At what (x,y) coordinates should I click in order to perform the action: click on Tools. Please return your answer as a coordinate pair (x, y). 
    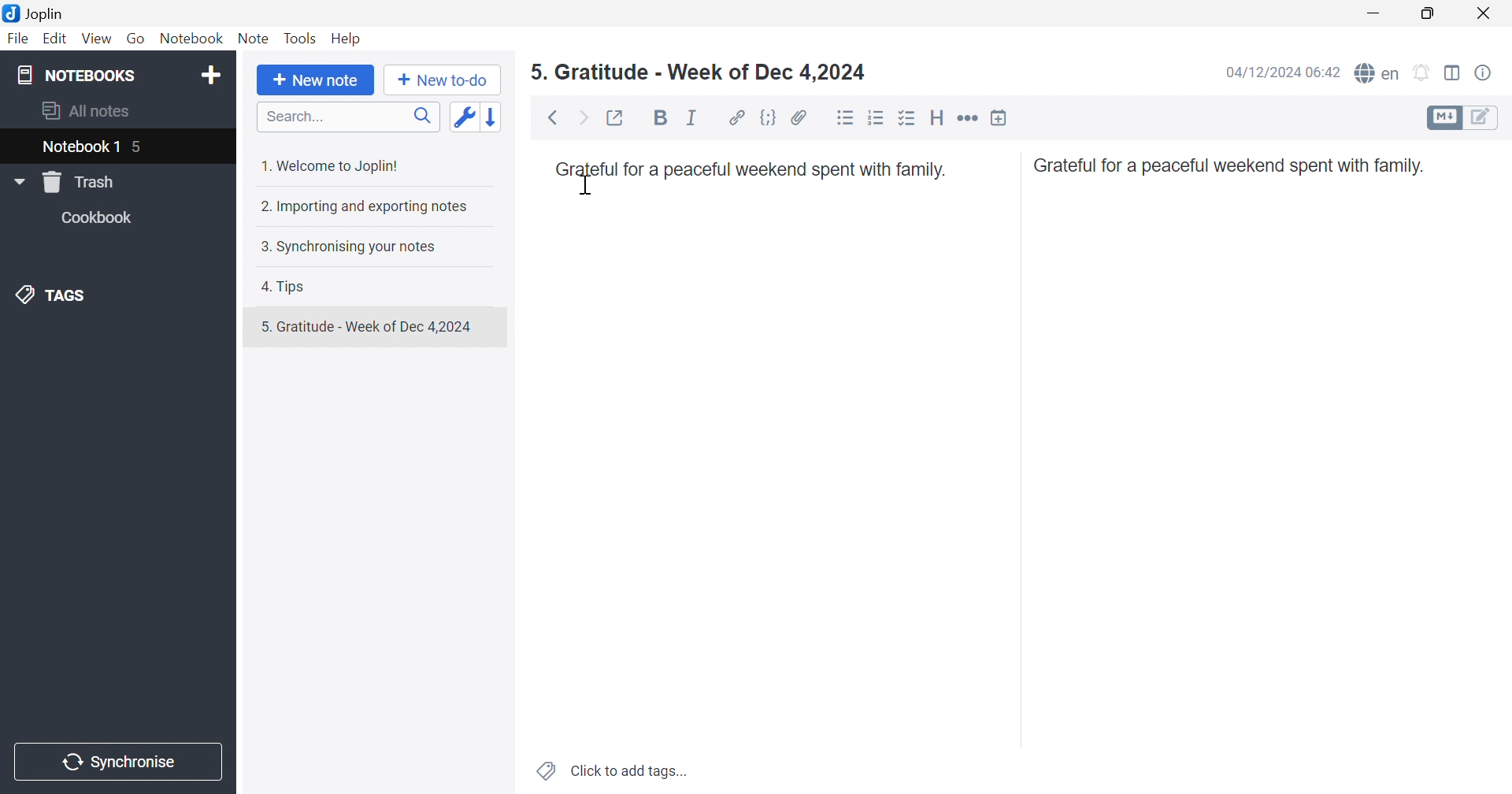
    Looking at the image, I should click on (300, 38).